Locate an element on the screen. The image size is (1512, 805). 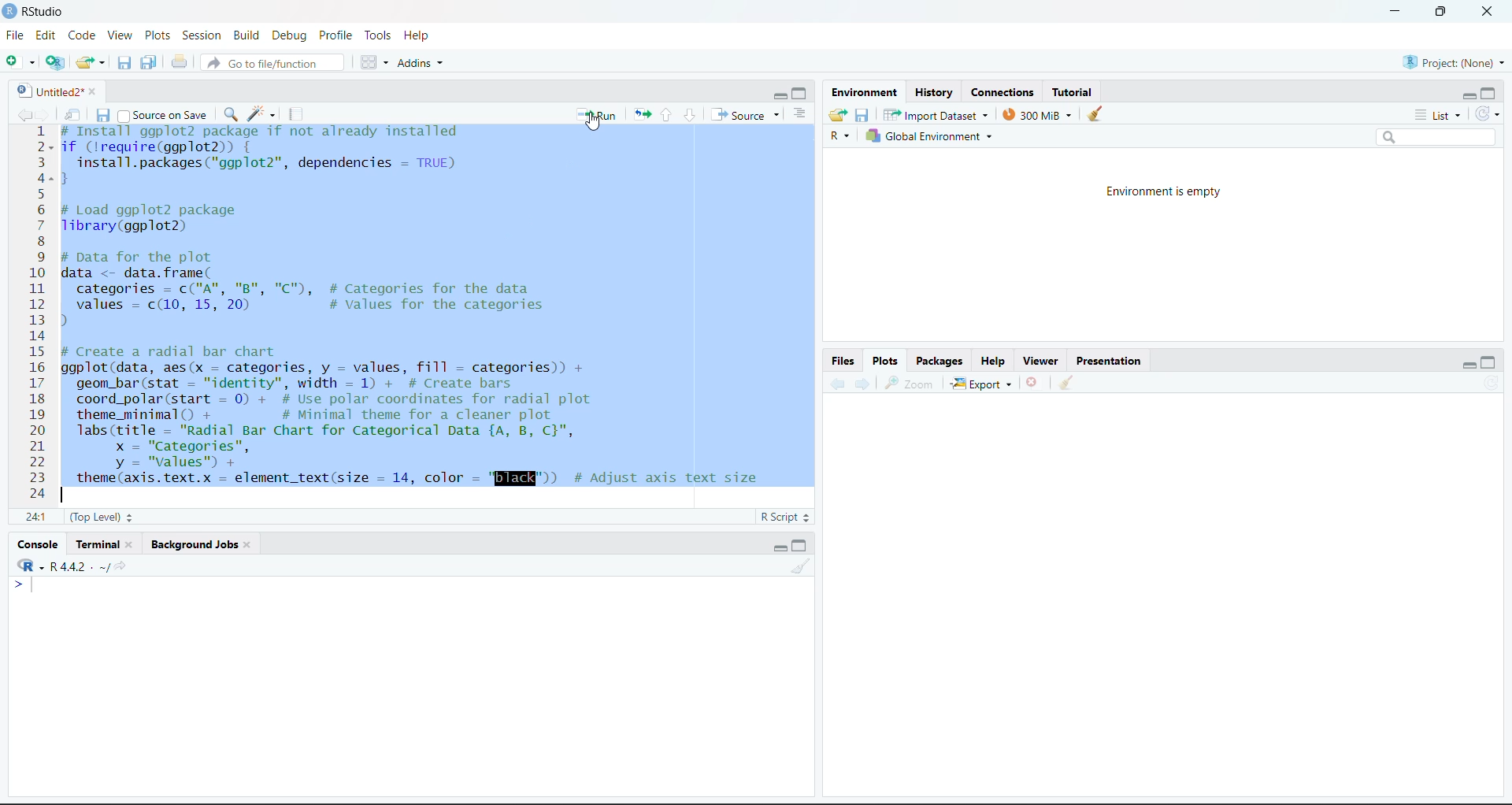
viewer  is located at coordinates (1043, 359).